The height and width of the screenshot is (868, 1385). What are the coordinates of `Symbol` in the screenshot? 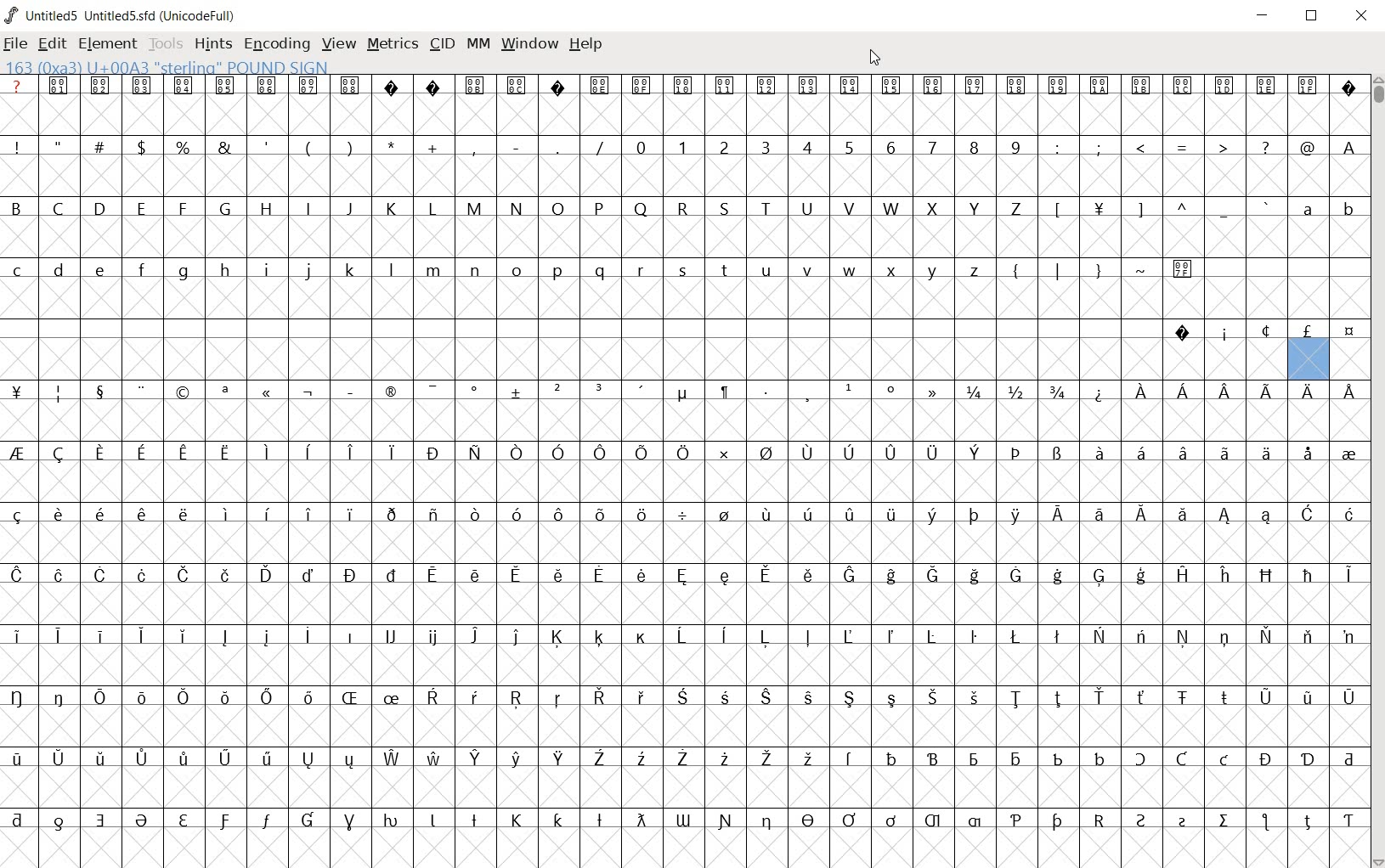 It's located at (891, 699).